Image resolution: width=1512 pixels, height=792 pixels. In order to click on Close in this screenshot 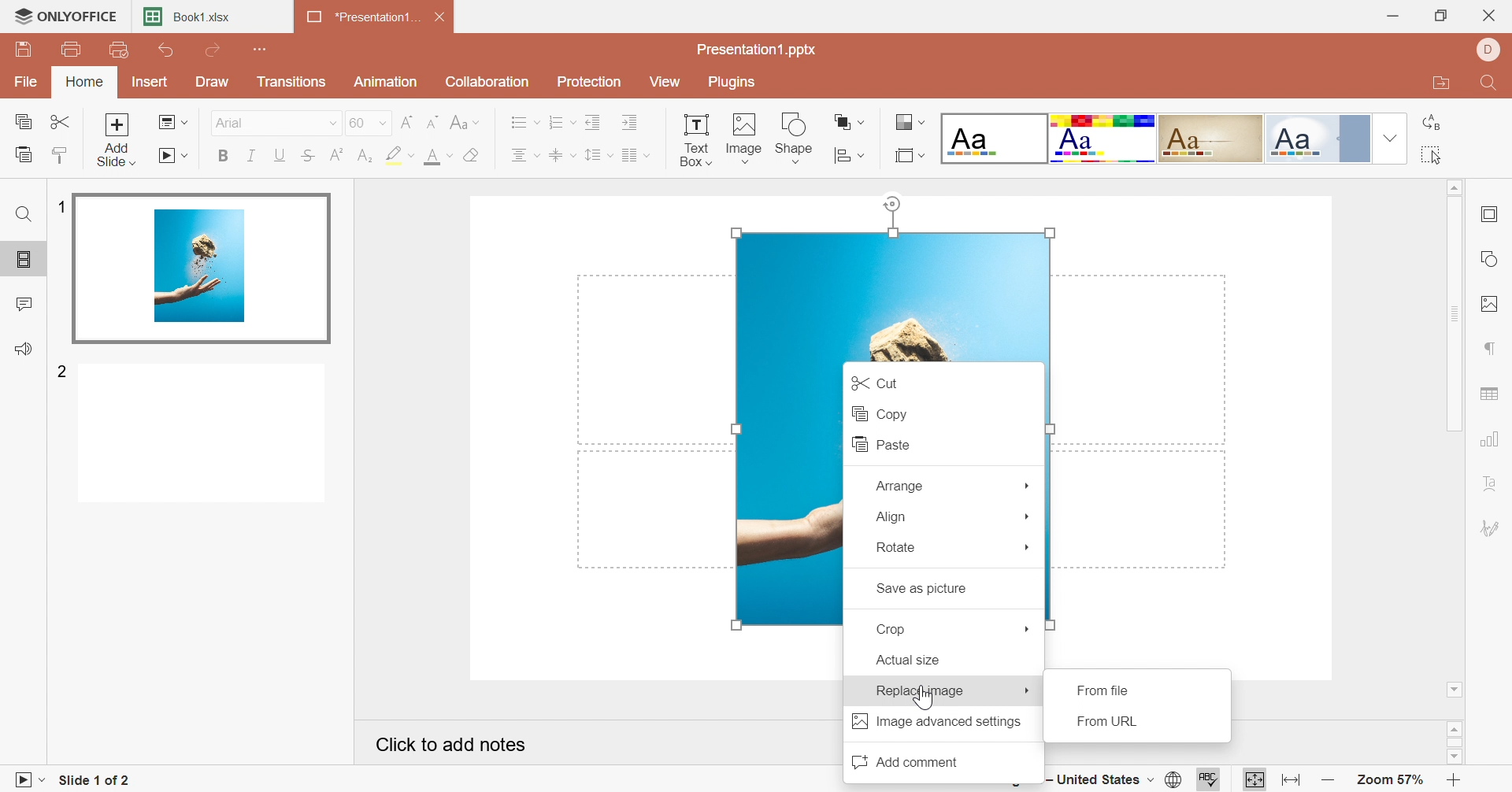, I will do `click(1492, 14)`.